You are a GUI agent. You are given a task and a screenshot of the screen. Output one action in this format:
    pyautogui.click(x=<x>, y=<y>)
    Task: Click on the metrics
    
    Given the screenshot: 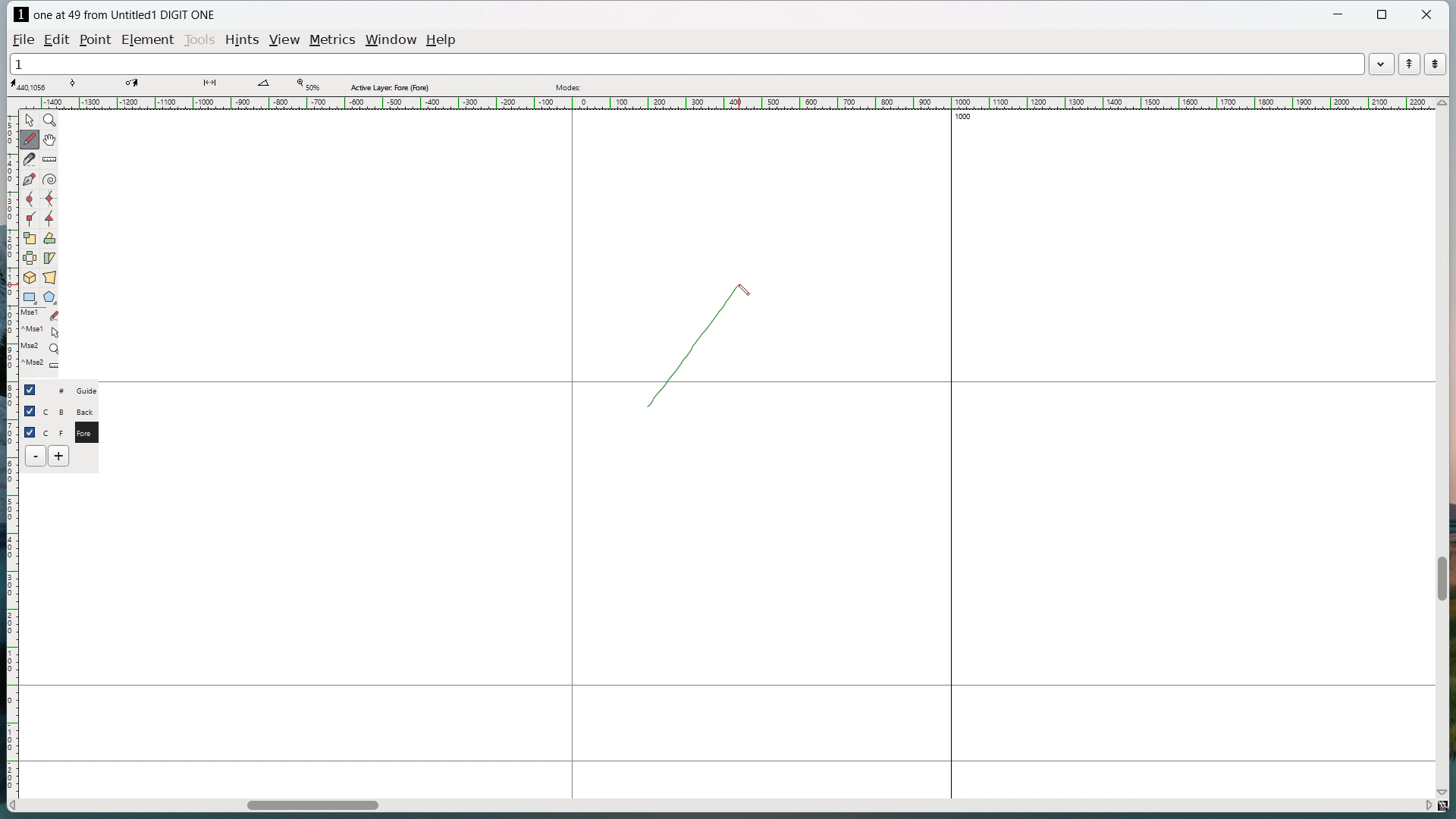 What is the action you would take?
    pyautogui.click(x=334, y=41)
    